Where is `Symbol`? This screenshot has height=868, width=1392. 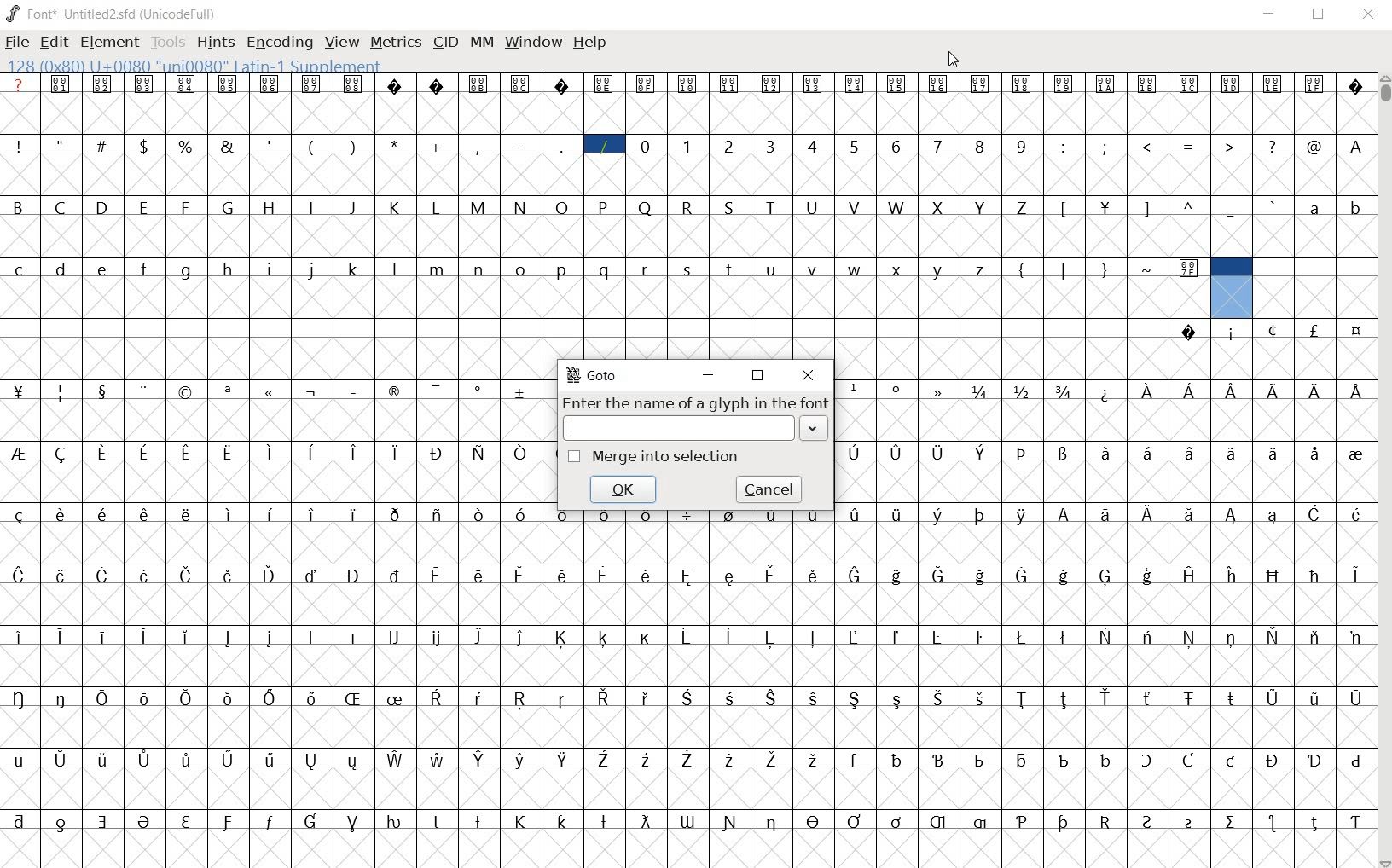
Symbol is located at coordinates (1147, 451).